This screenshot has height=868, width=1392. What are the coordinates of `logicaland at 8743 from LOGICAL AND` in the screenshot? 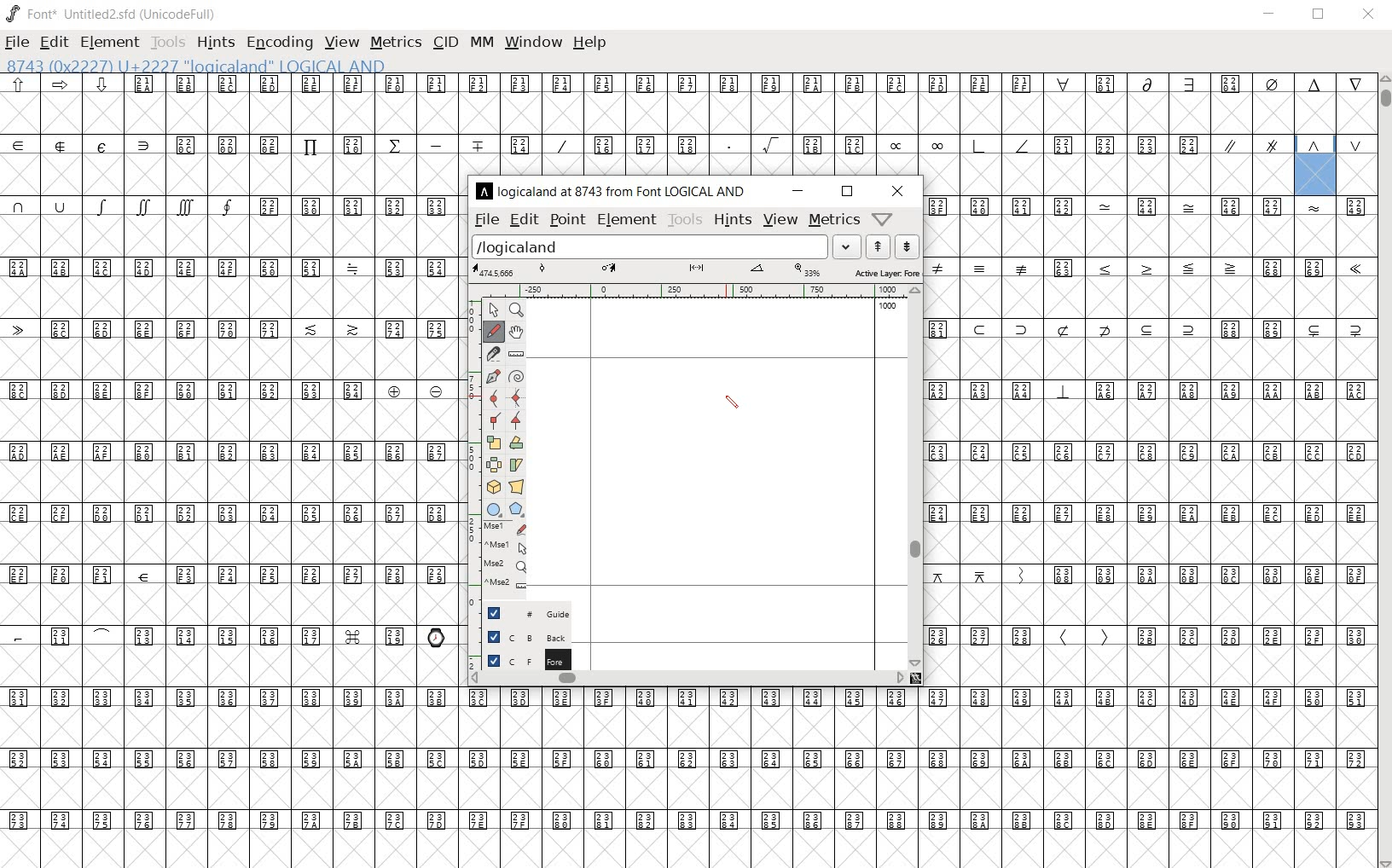 It's located at (615, 190).